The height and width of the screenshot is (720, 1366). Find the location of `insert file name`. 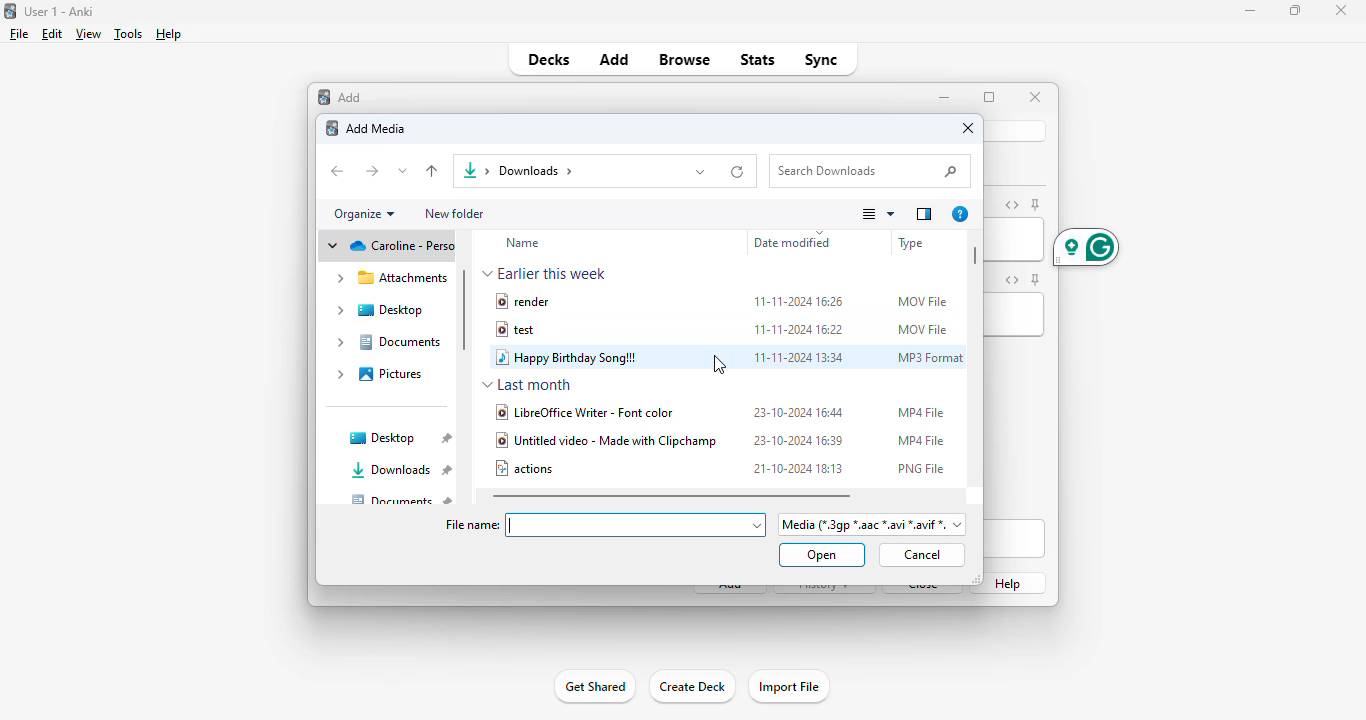

insert file name is located at coordinates (639, 526).